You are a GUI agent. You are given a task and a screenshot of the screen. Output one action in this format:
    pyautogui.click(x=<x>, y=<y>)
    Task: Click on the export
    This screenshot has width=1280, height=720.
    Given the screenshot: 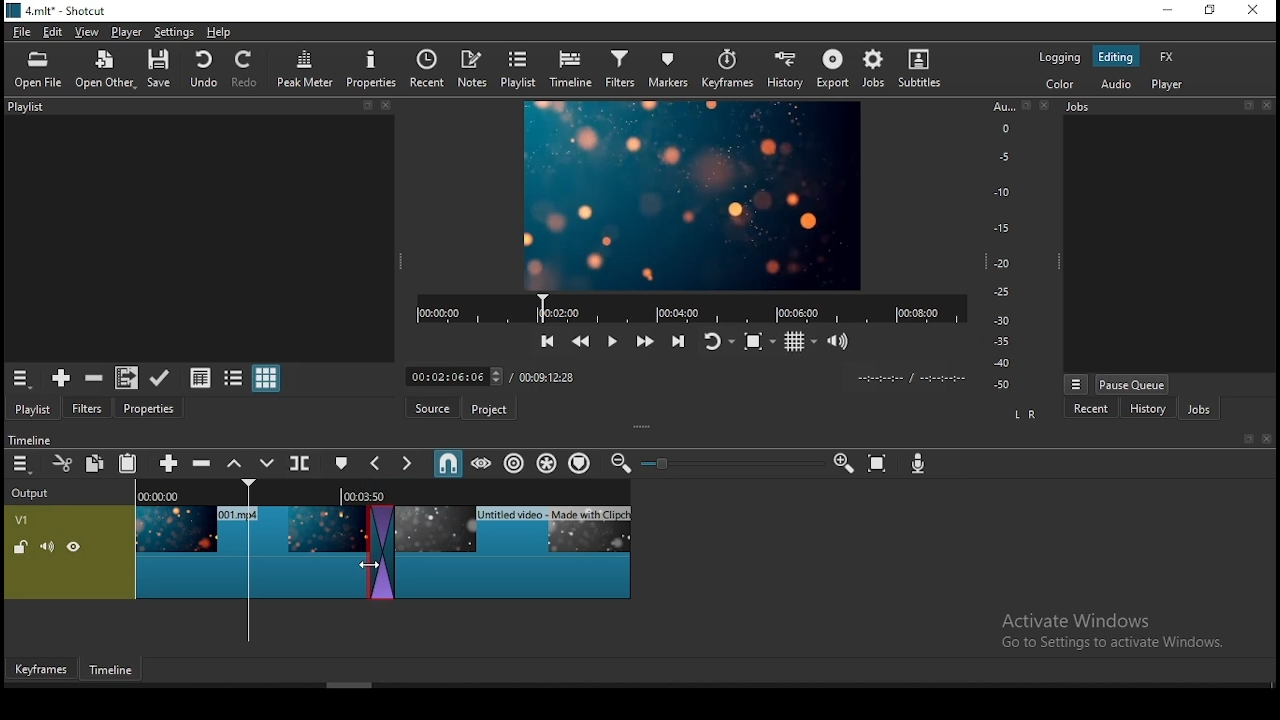 What is the action you would take?
    pyautogui.click(x=830, y=70)
    